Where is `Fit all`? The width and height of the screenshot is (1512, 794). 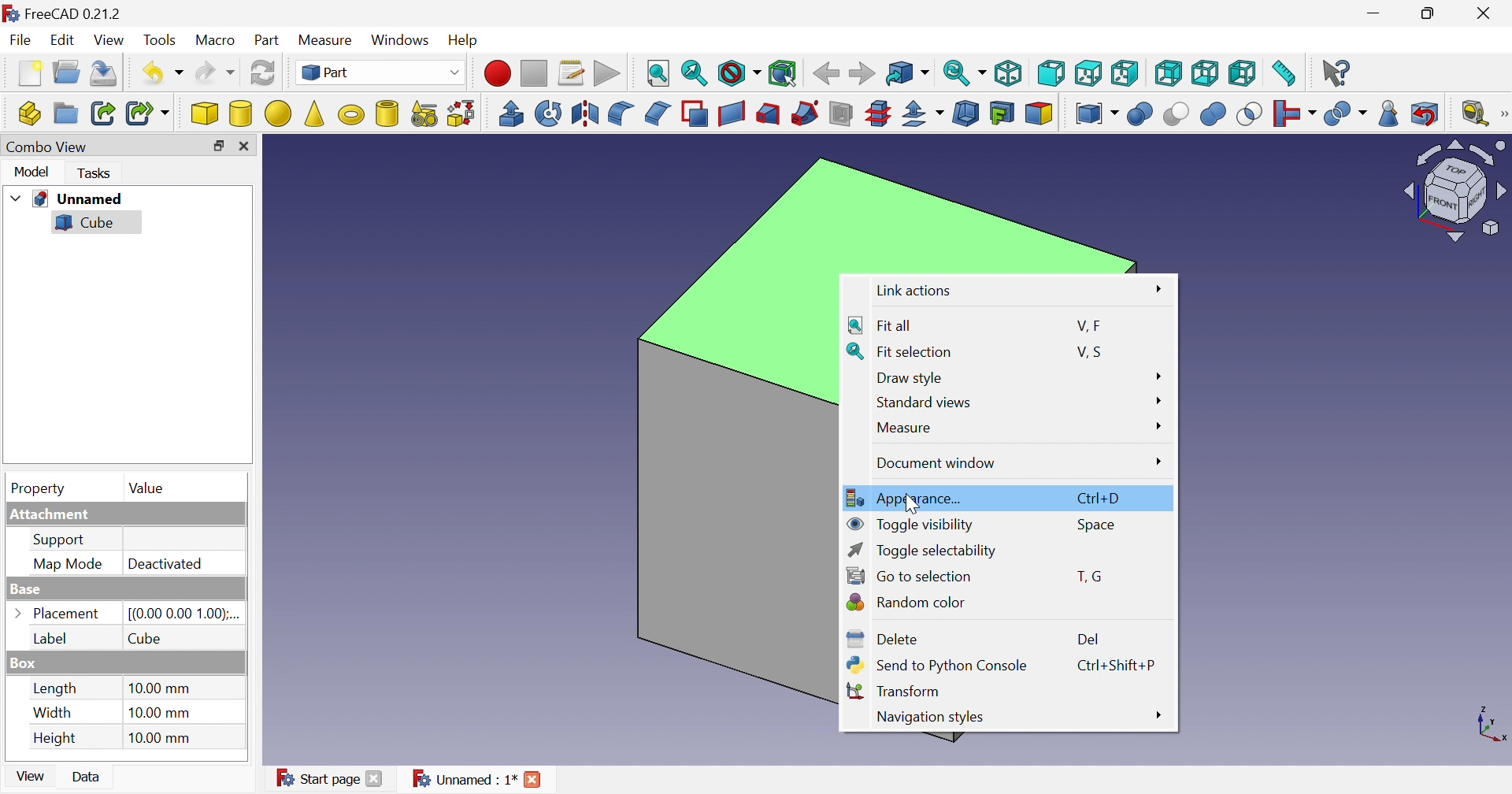
Fit all is located at coordinates (883, 326).